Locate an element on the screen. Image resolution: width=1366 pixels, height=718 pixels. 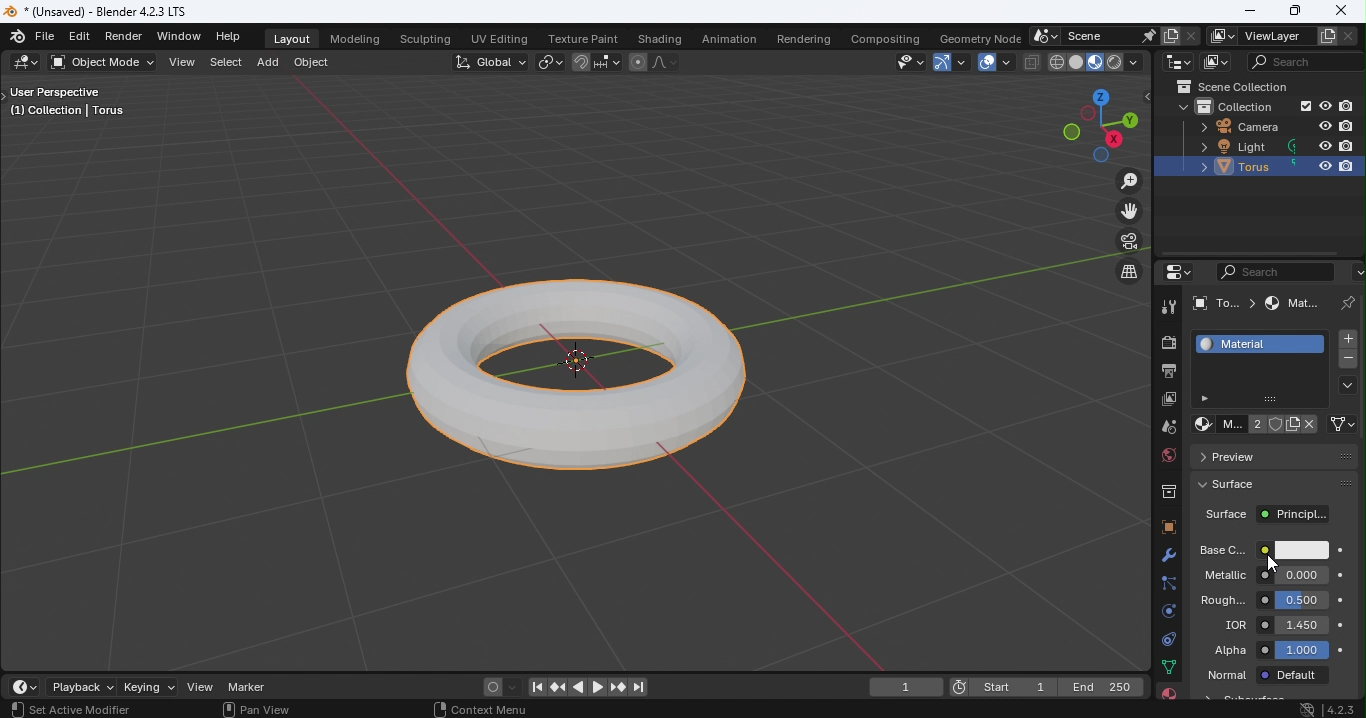
Data is located at coordinates (1164, 666).